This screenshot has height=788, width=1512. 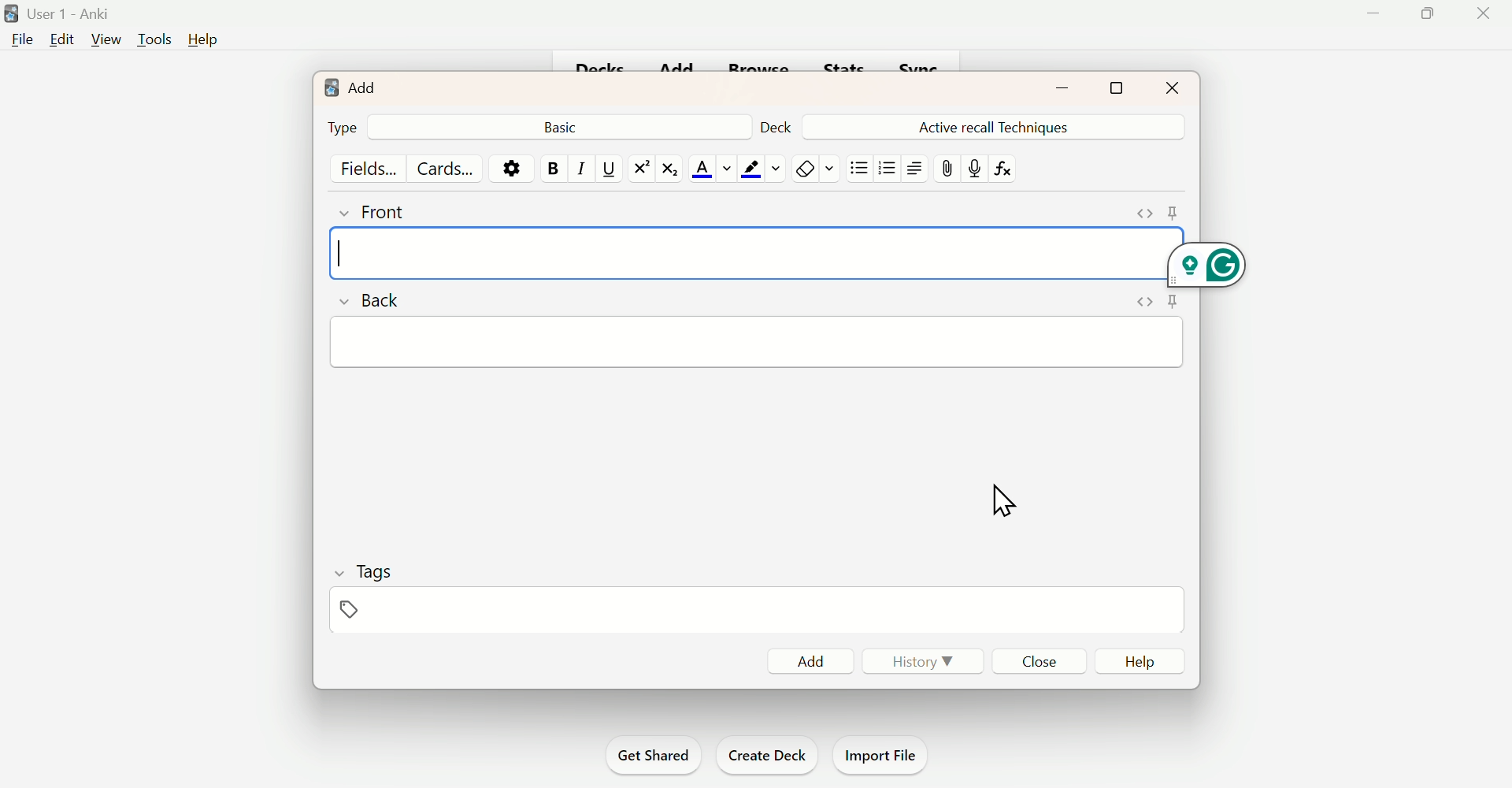 I want to click on Create Deck, so click(x=768, y=754).